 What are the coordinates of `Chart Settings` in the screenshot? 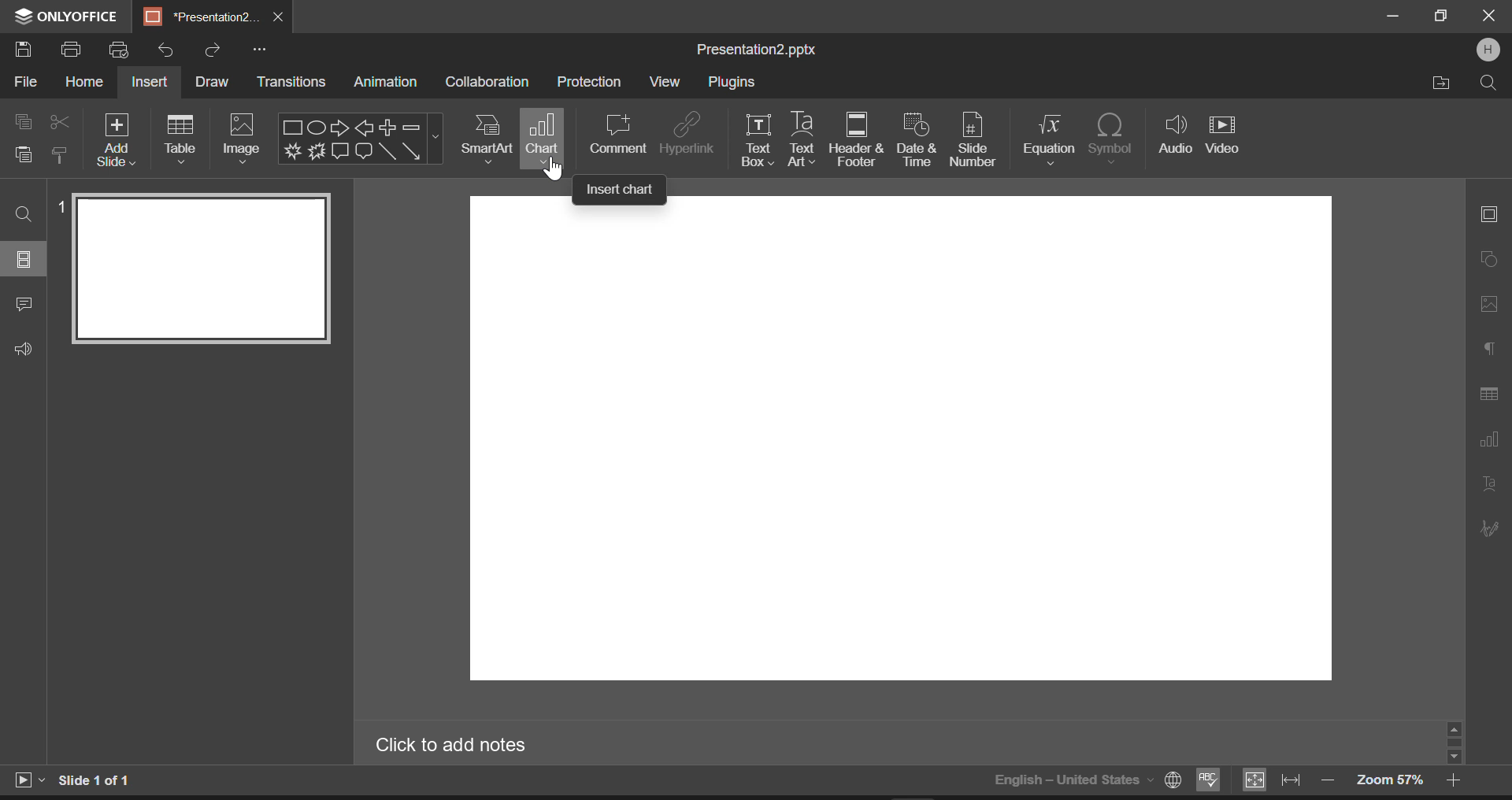 It's located at (1488, 439).